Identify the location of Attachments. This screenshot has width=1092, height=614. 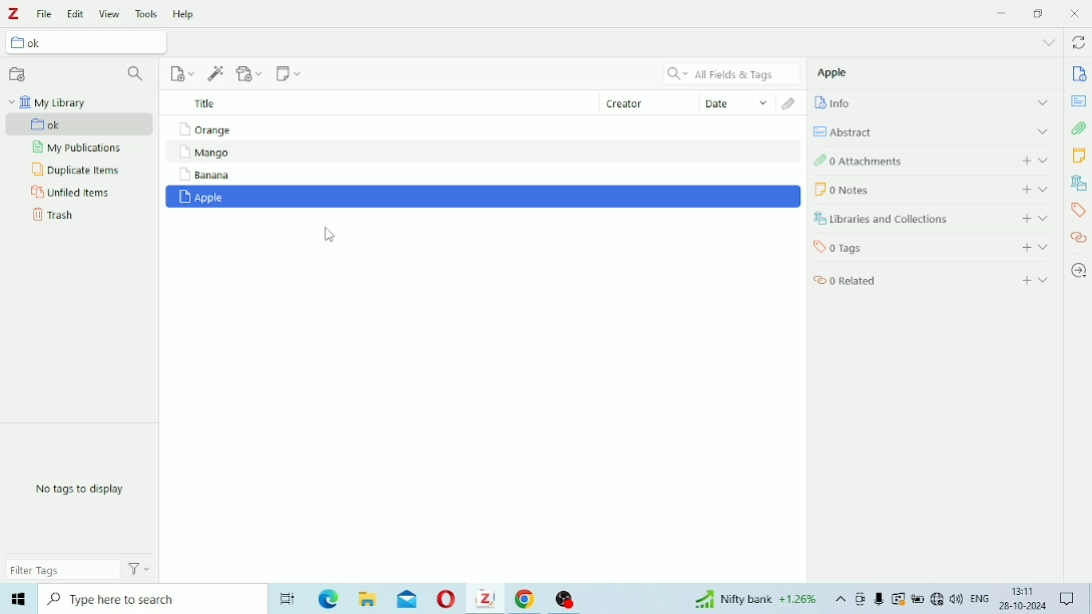
(890, 162).